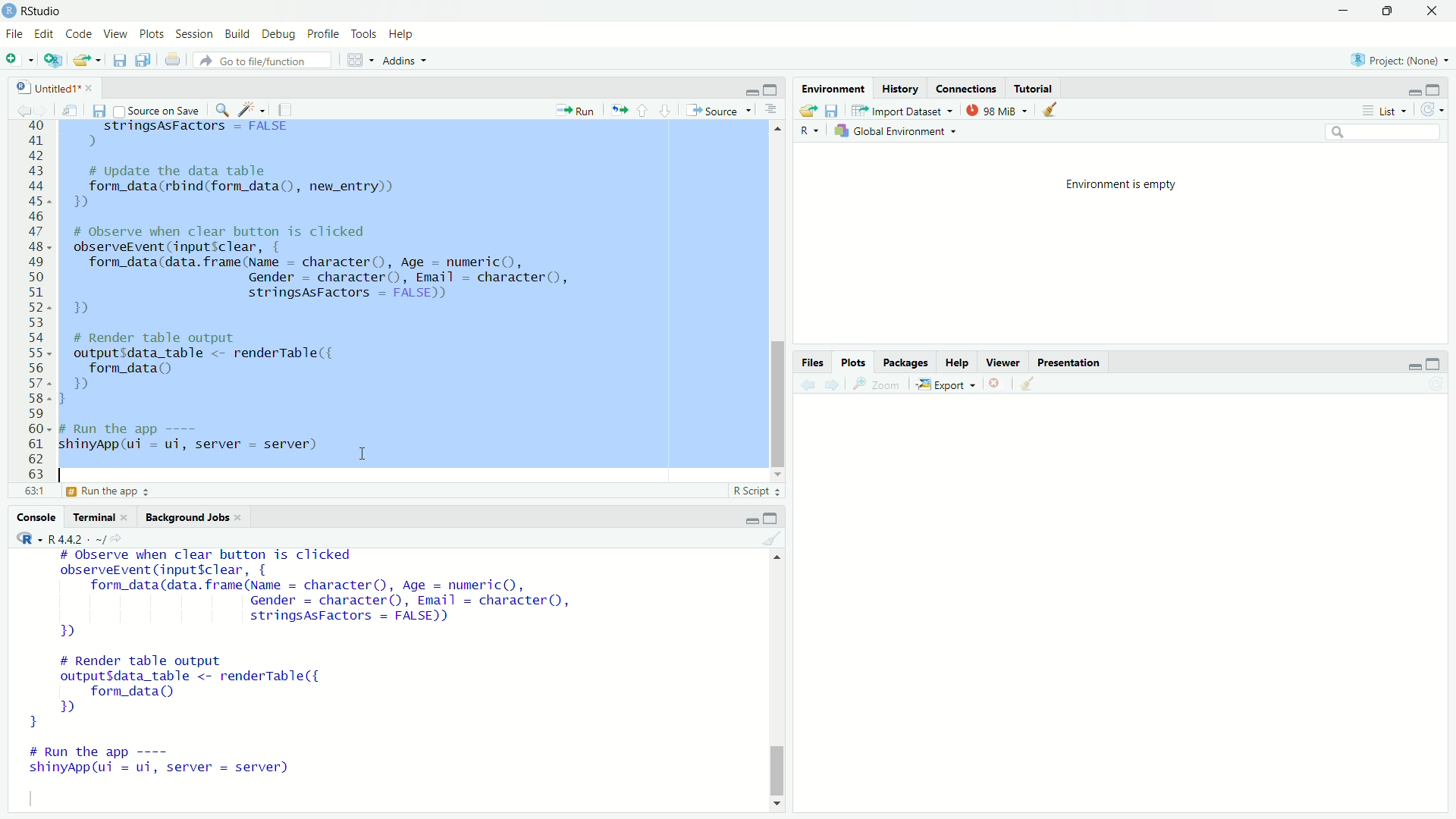  Describe the element at coordinates (118, 35) in the screenshot. I see `View` at that location.